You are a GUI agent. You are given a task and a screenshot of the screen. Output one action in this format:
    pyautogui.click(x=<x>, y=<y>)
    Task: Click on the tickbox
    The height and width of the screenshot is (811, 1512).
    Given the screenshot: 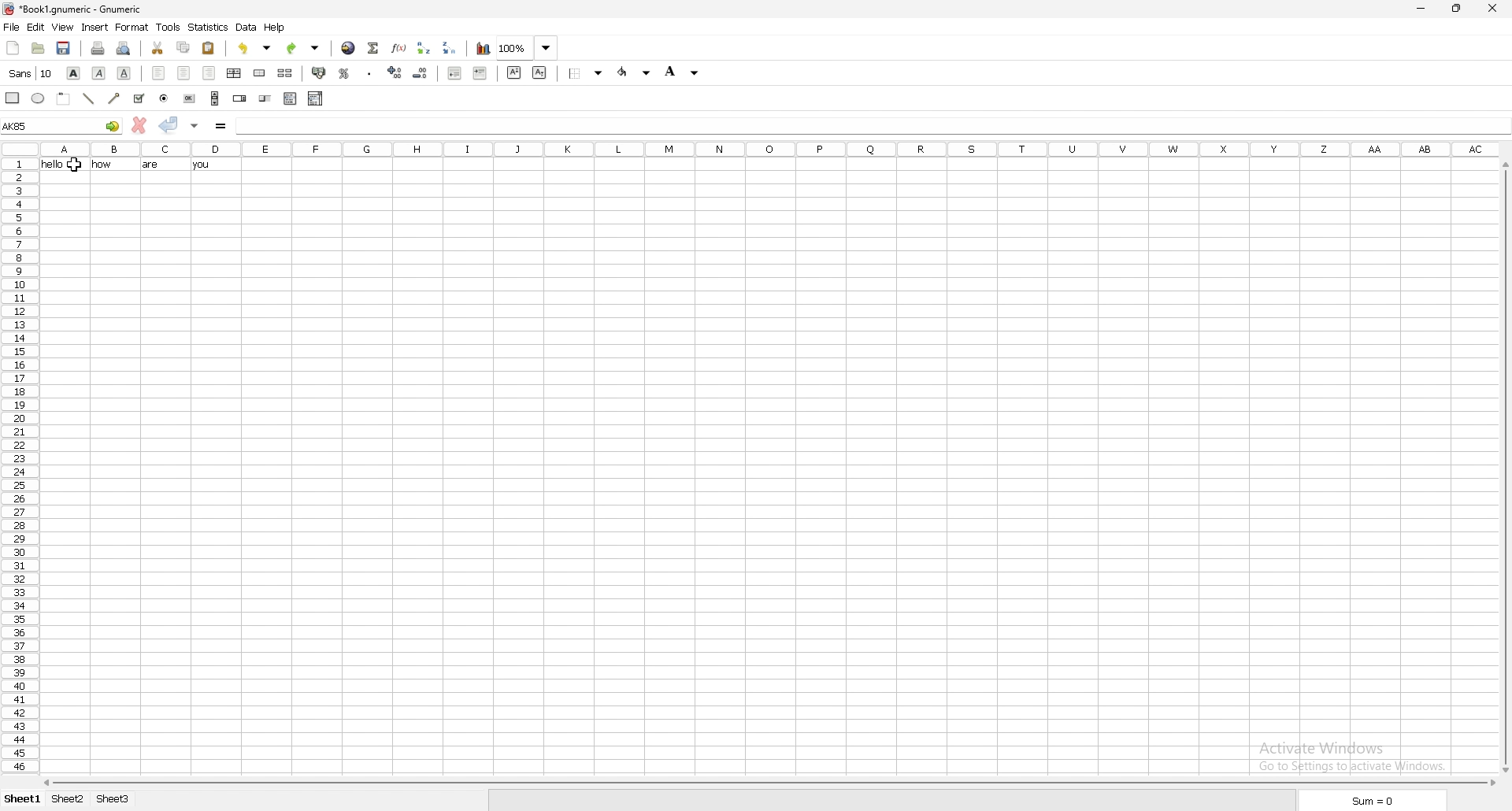 What is the action you would take?
    pyautogui.click(x=138, y=98)
    